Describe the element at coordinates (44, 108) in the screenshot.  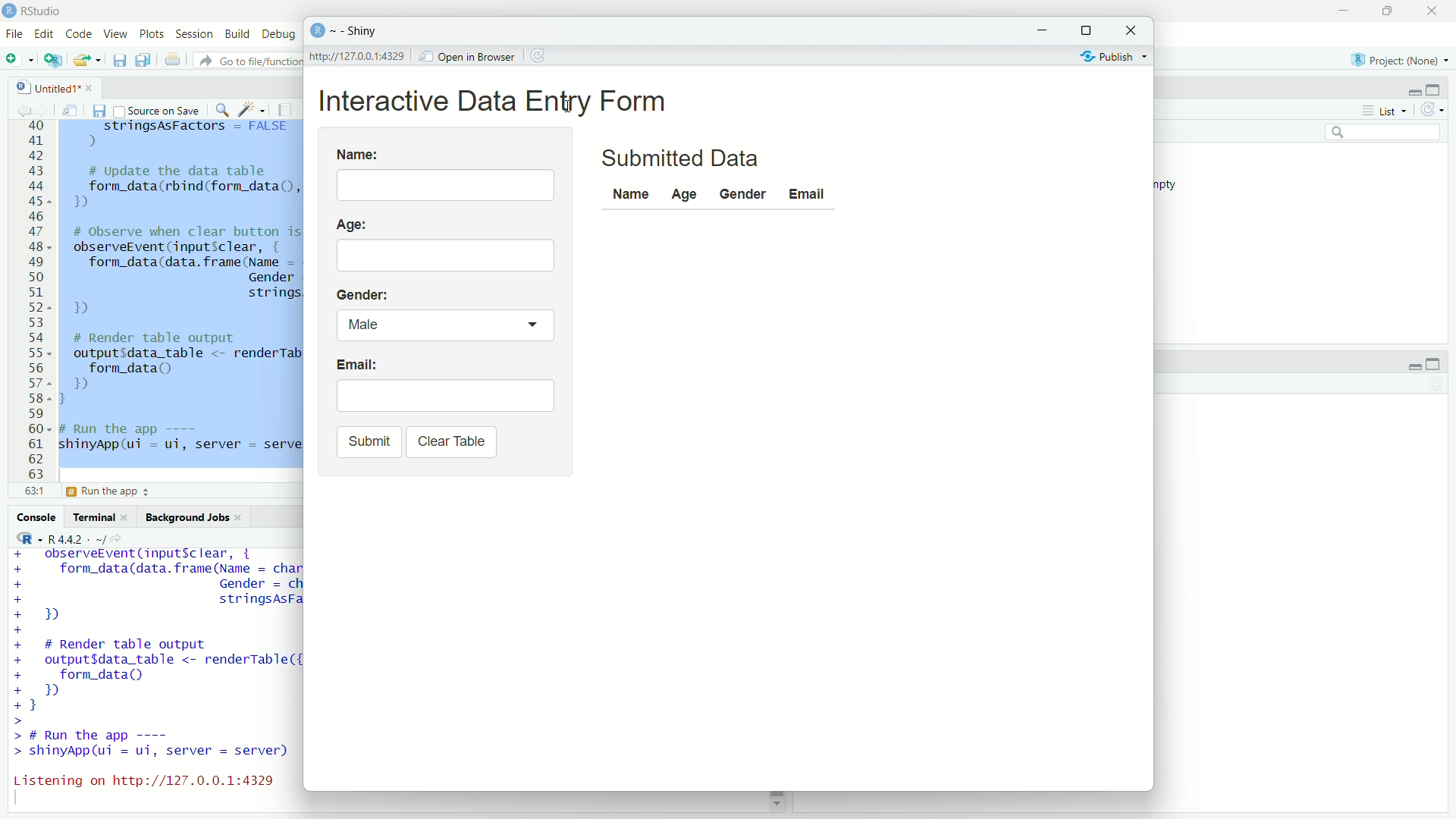
I see `go forward to the next source location` at that location.